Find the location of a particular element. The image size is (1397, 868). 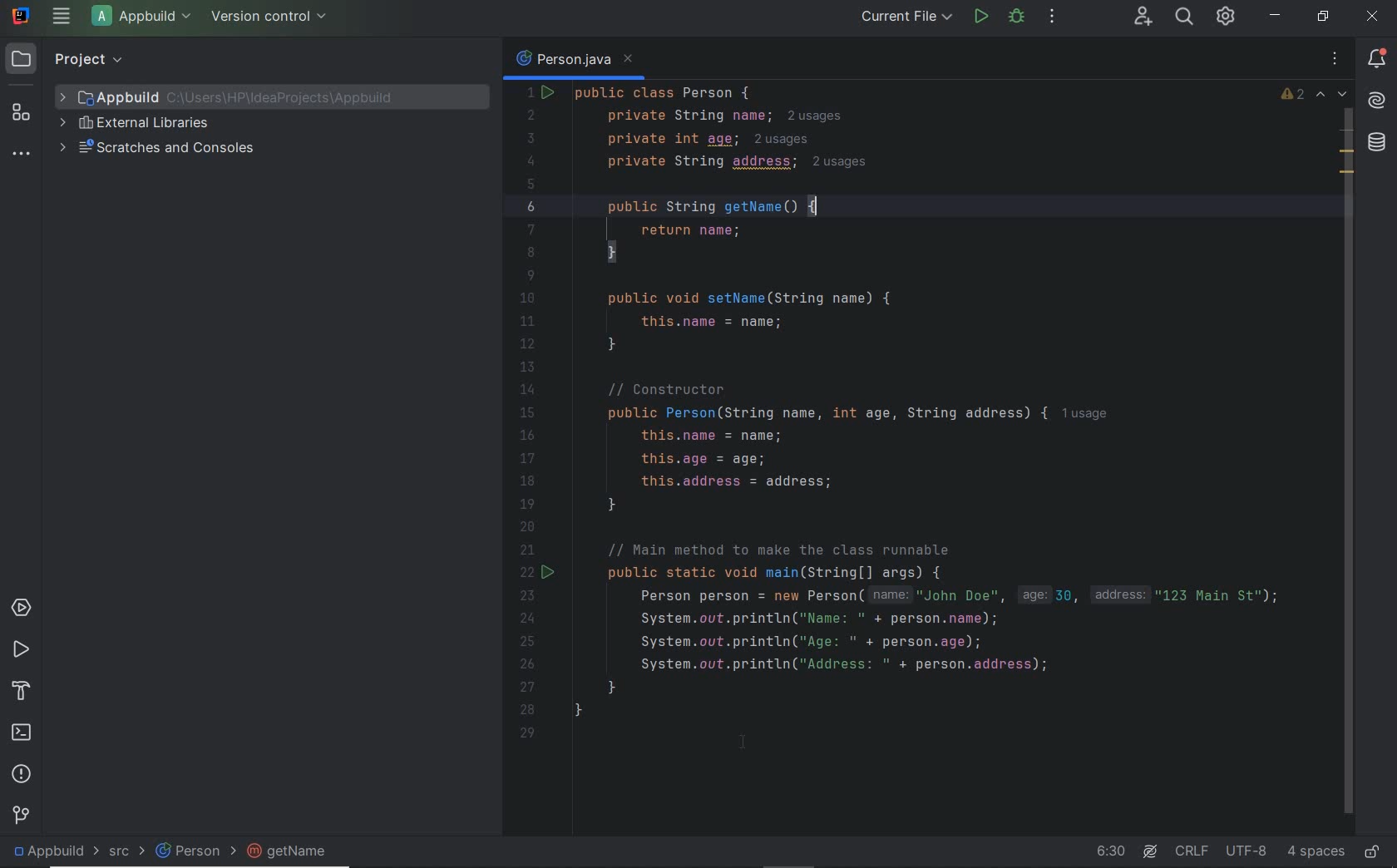

scratches and consoles is located at coordinates (160, 147).